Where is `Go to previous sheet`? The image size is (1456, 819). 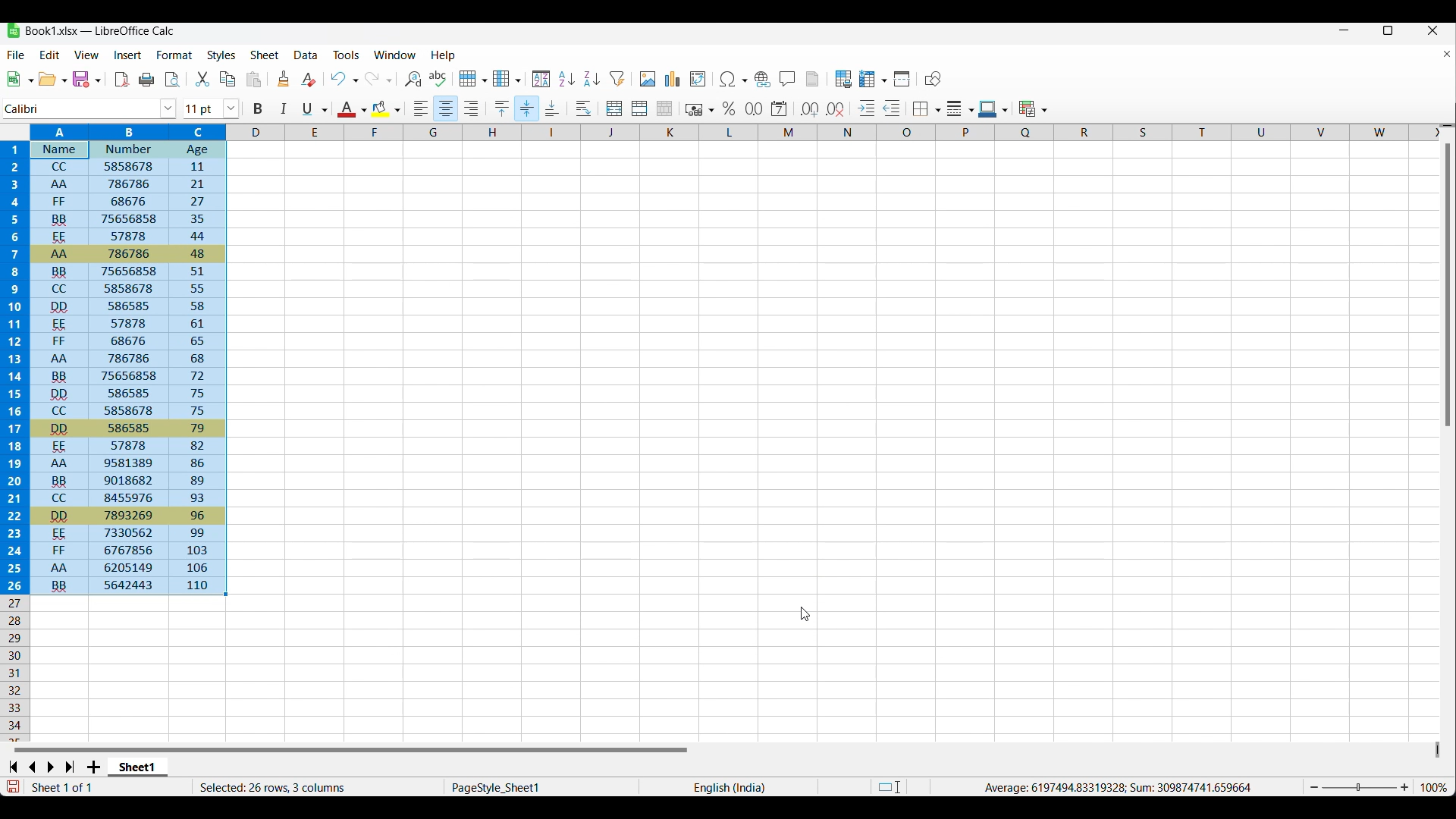 Go to previous sheet is located at coordinates (32, 767).